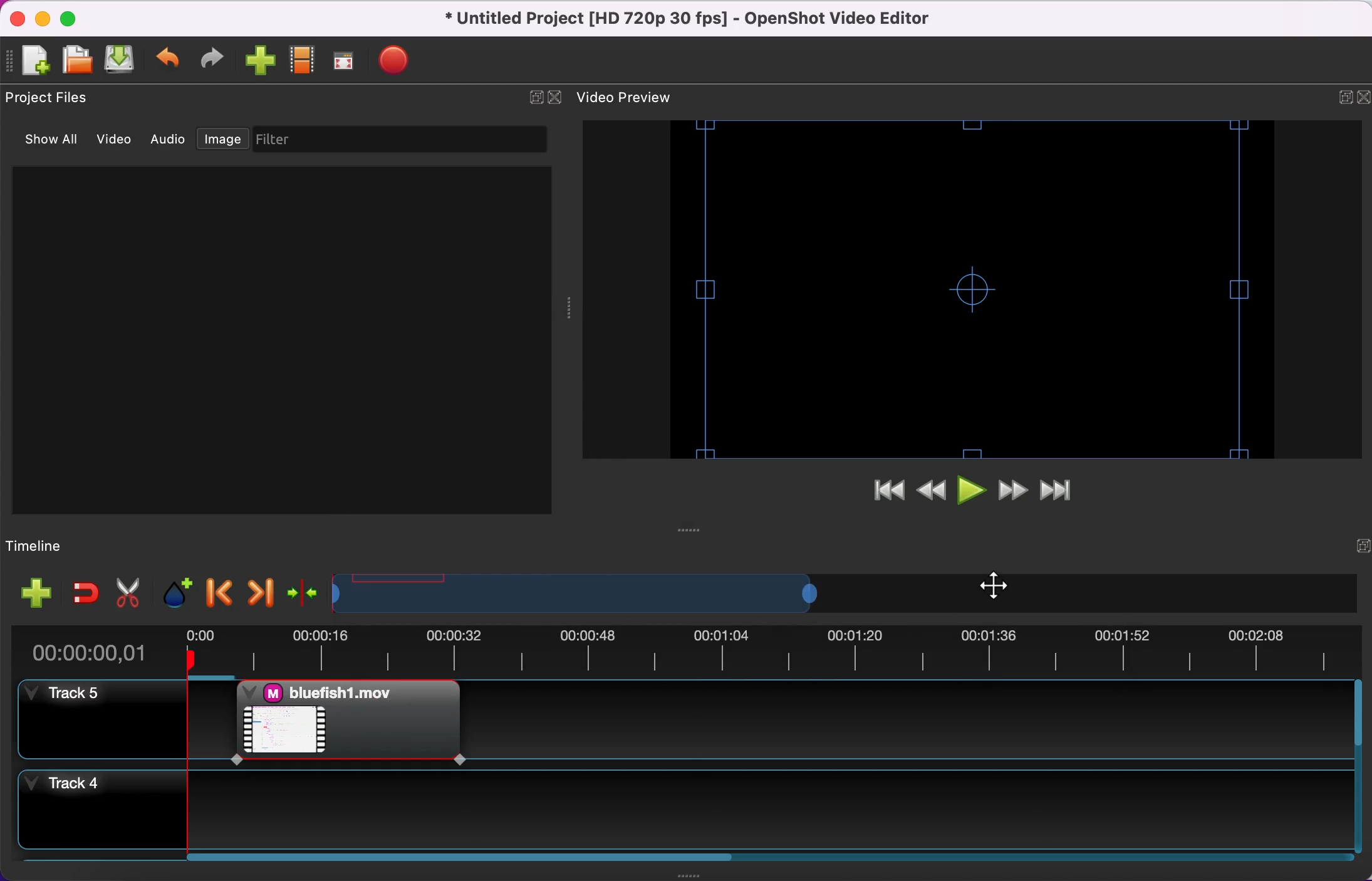  Describe the element at coordinates (998, 585) in the screenshot. I see `Cursor` at that location.